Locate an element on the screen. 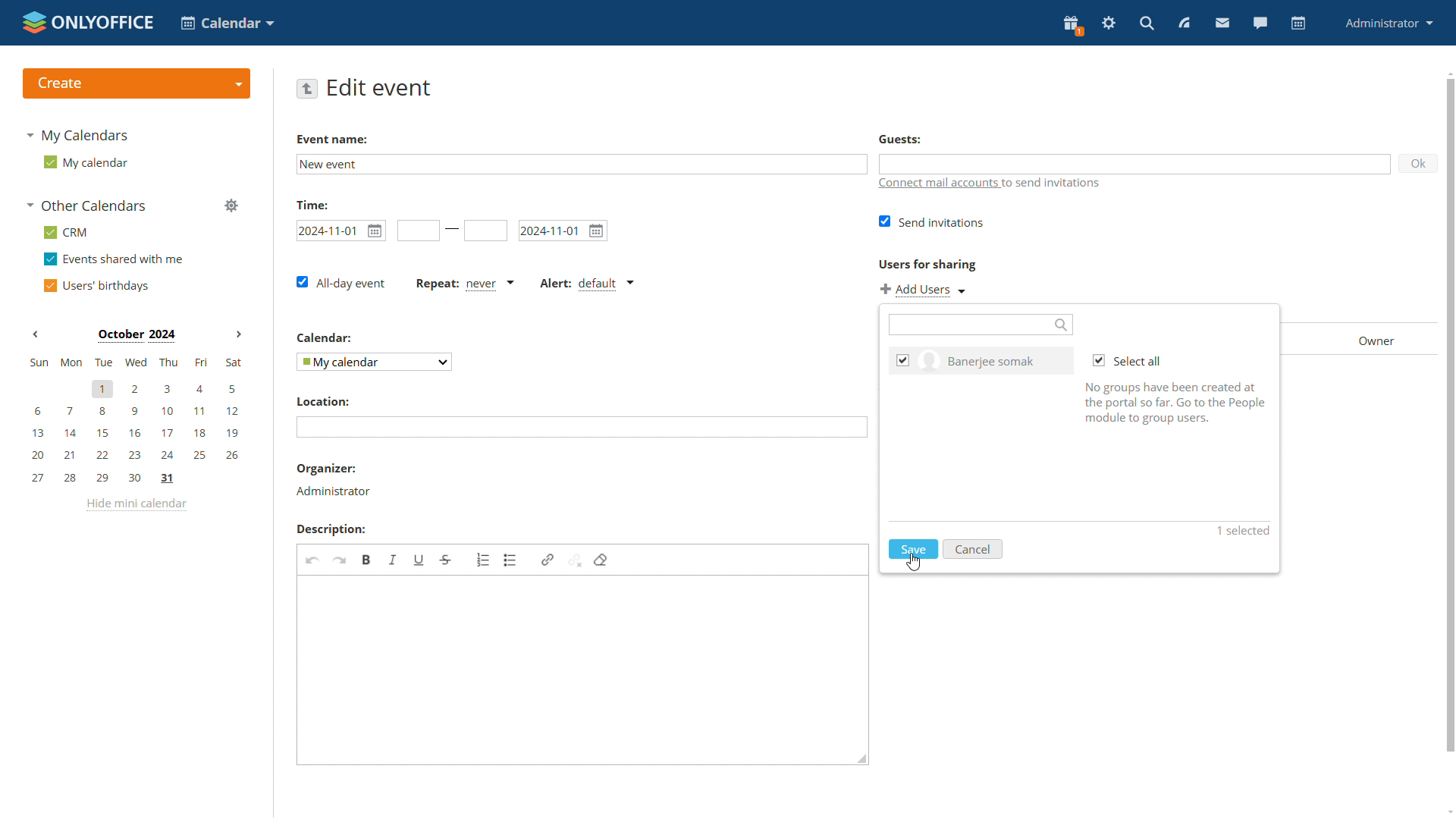 The image size is (1456, 819). organiser is located at coordinates (325, 469).